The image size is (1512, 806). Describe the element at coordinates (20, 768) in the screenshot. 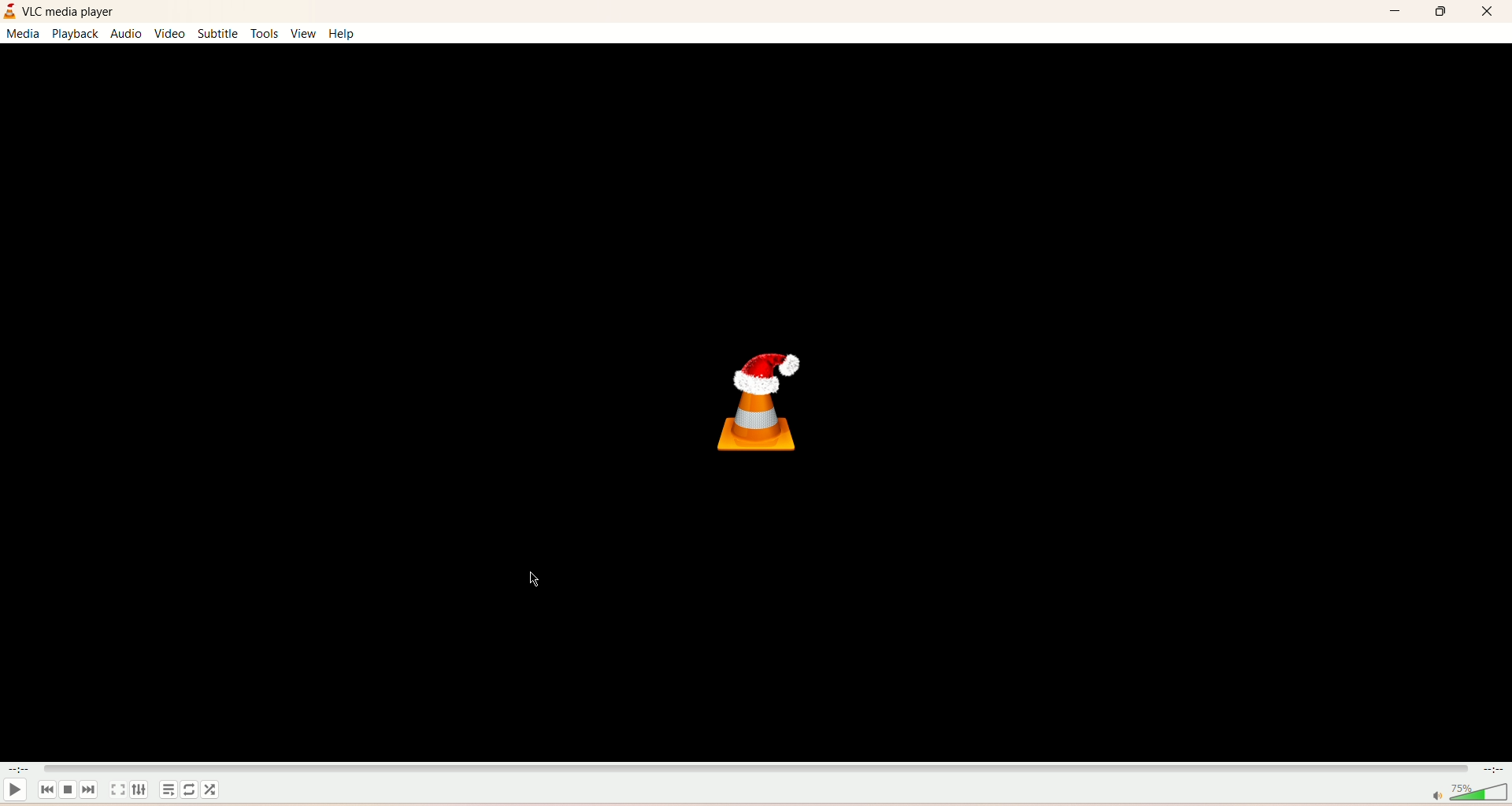

I see `played time` at that location.